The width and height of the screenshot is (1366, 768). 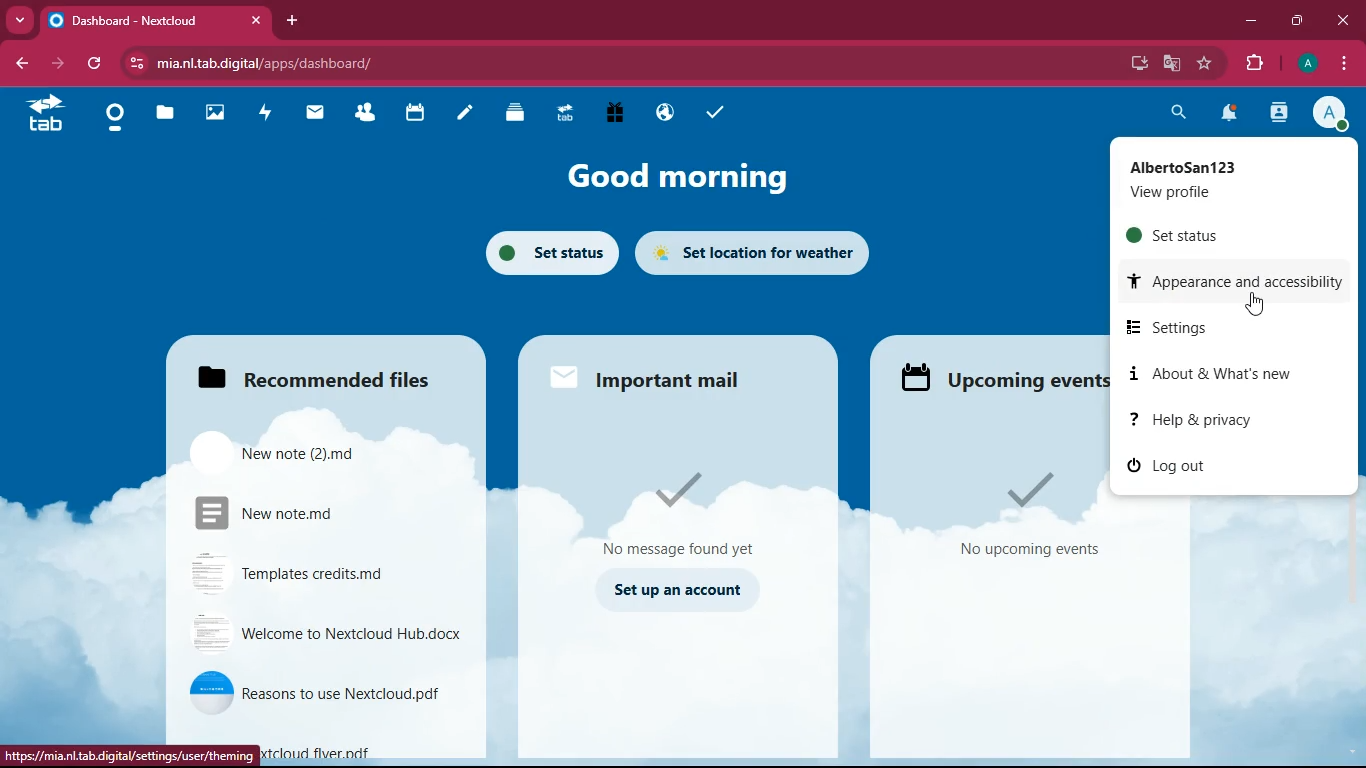 I want to click on notes, so click(x=470, y=113).